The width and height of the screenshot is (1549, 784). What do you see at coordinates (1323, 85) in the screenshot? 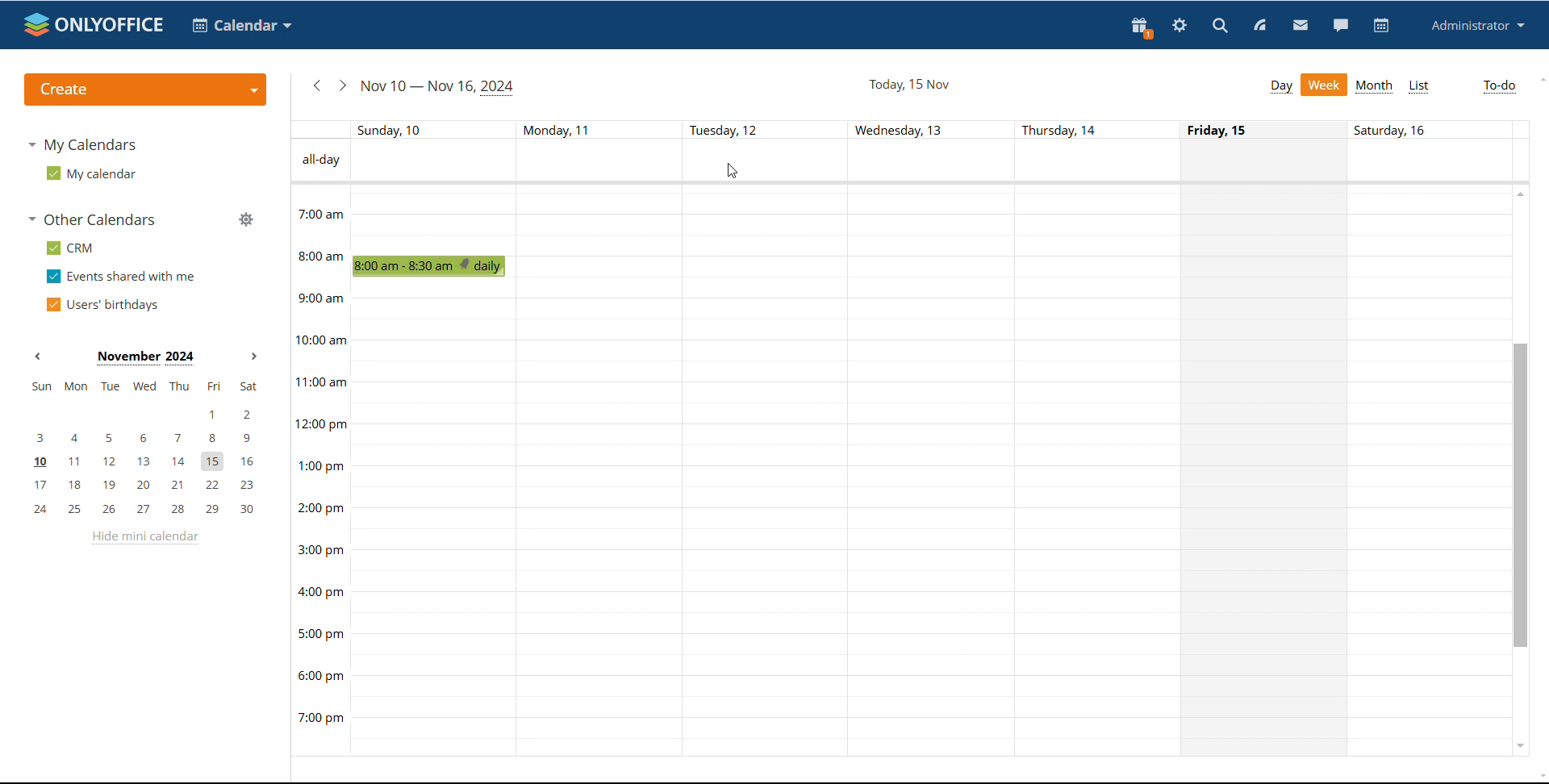
I see `week view` at bounding box center [1323, 85].